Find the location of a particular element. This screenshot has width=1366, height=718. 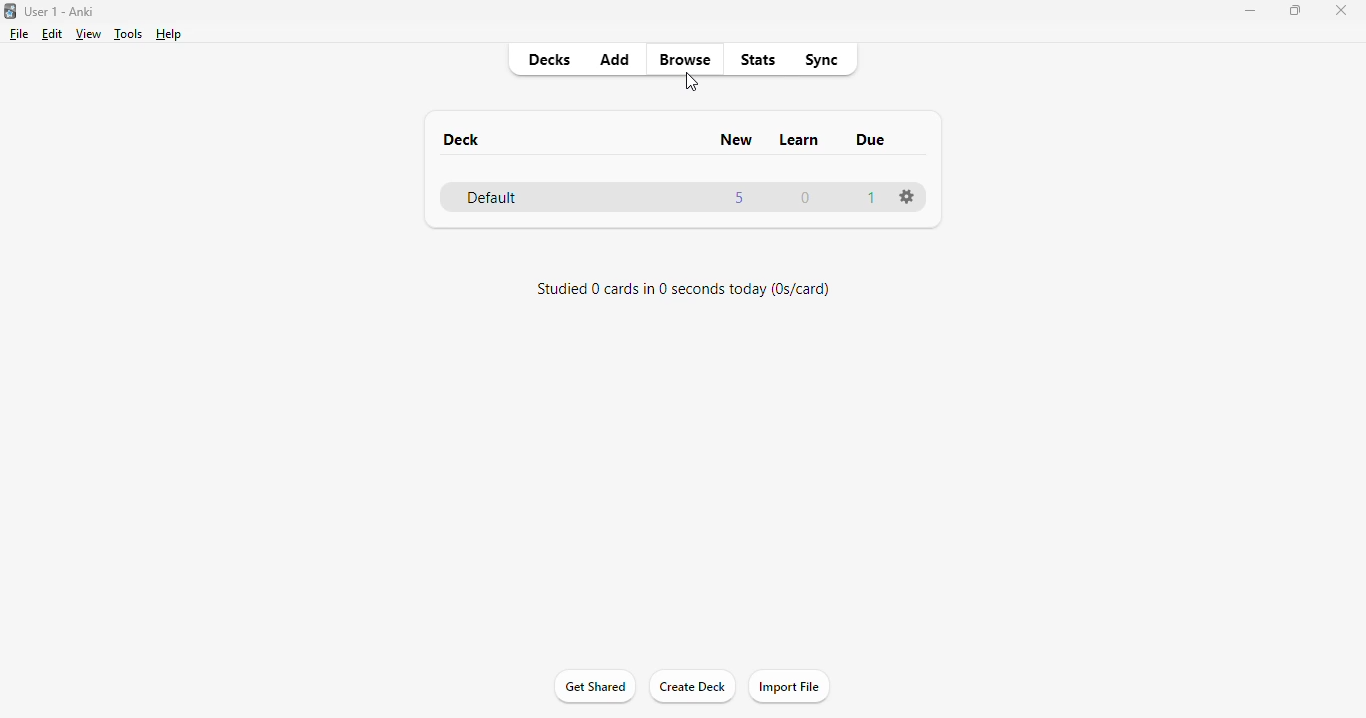

add is located at coordinates (614, 61).